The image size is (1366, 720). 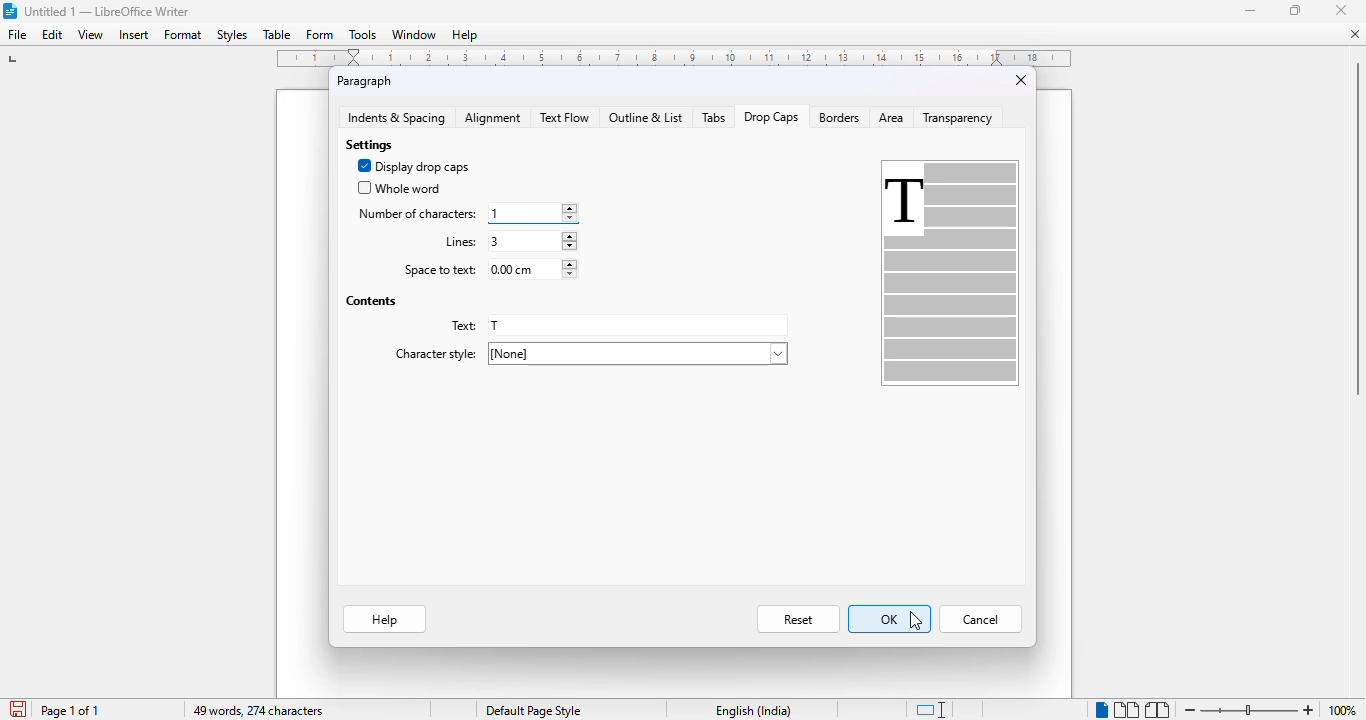 What do you see at coordinates (413, 167) in the screenshot?
I see `display drop caps enabled` at bounding box center [413, 167].